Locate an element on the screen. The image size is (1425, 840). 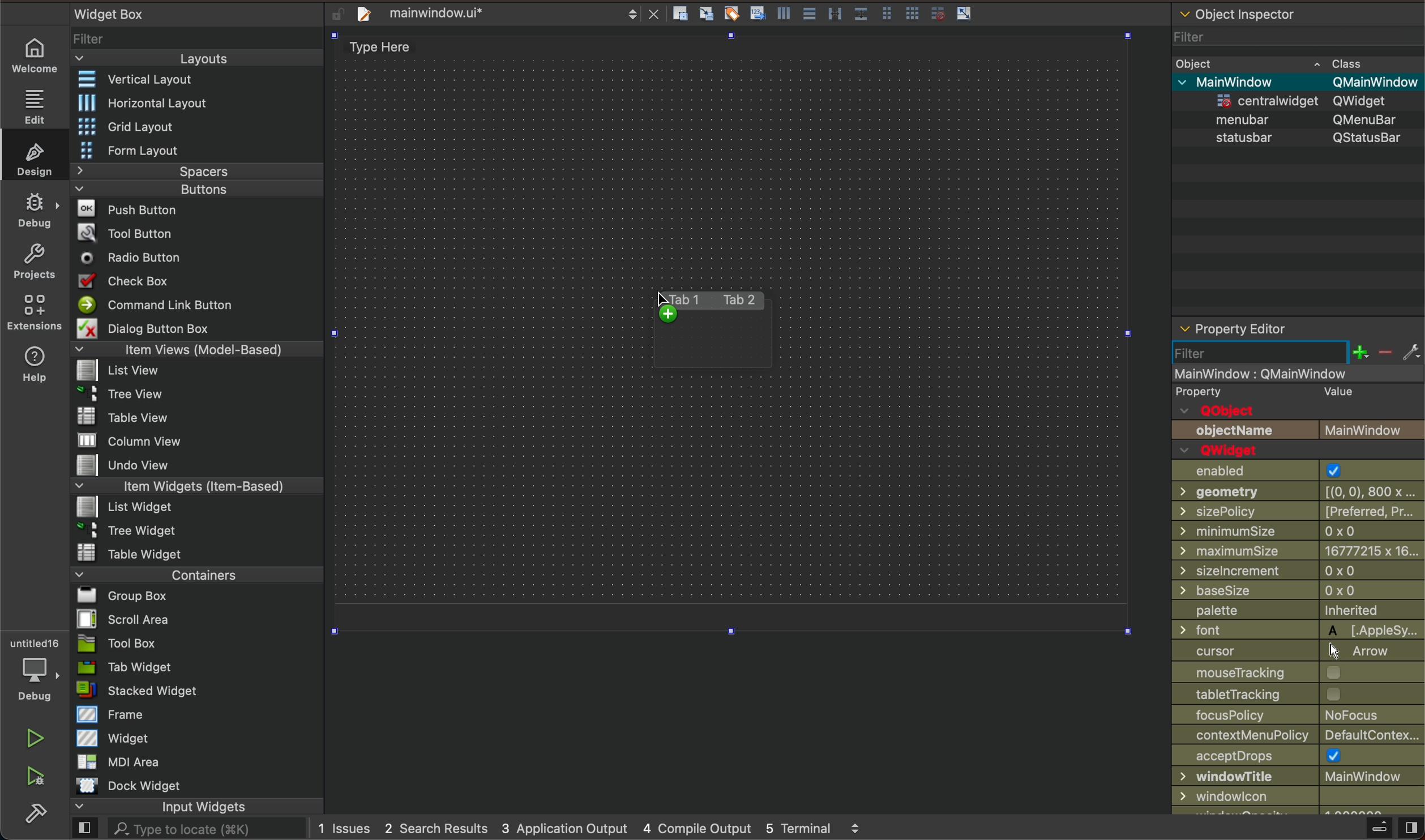
MW column view is located at coordinates (117, 440).